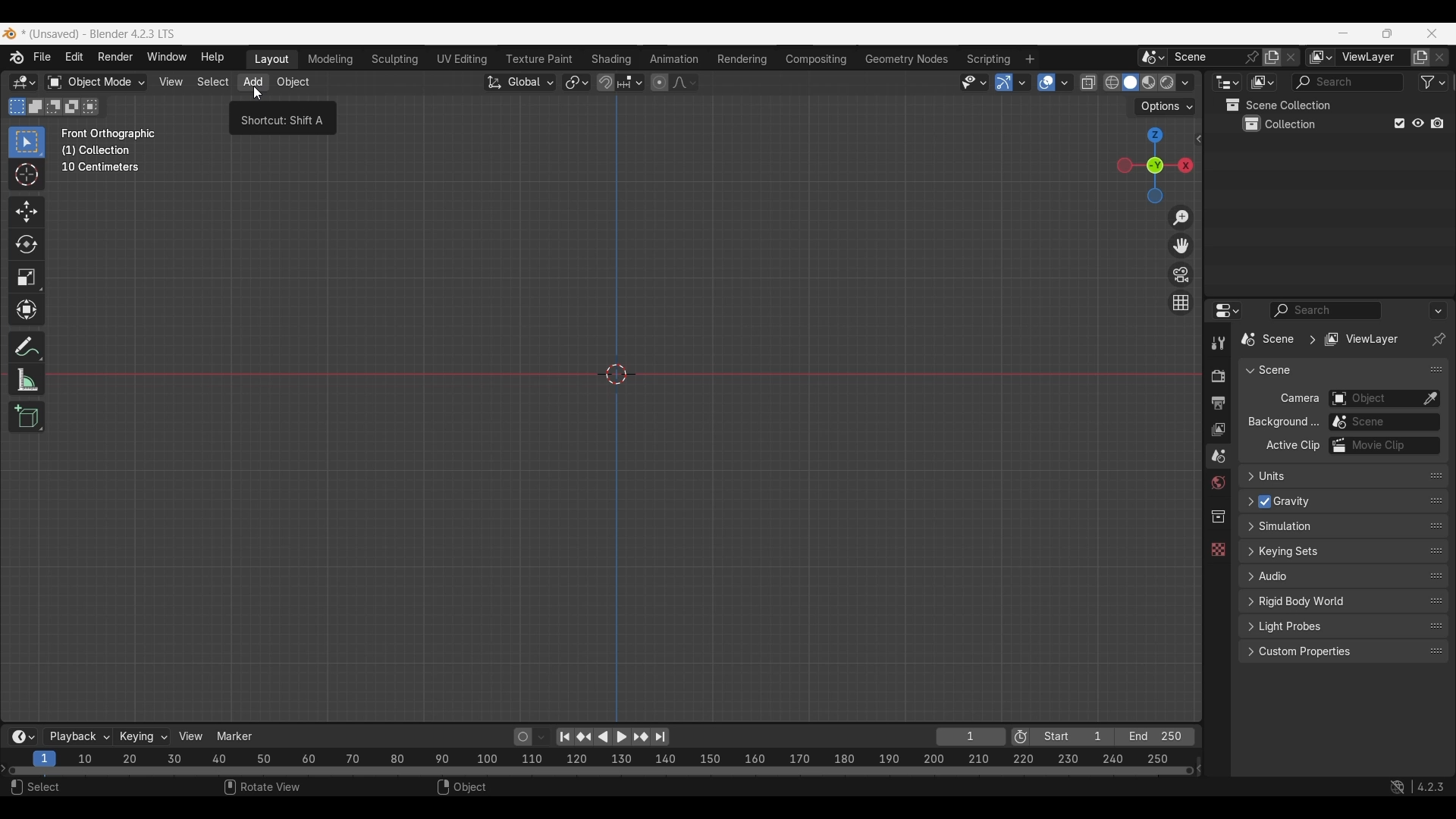  What do you see at coordinates (211, 58) in the screenshot?
I see `Help menu` at bounding box center [211, 58].